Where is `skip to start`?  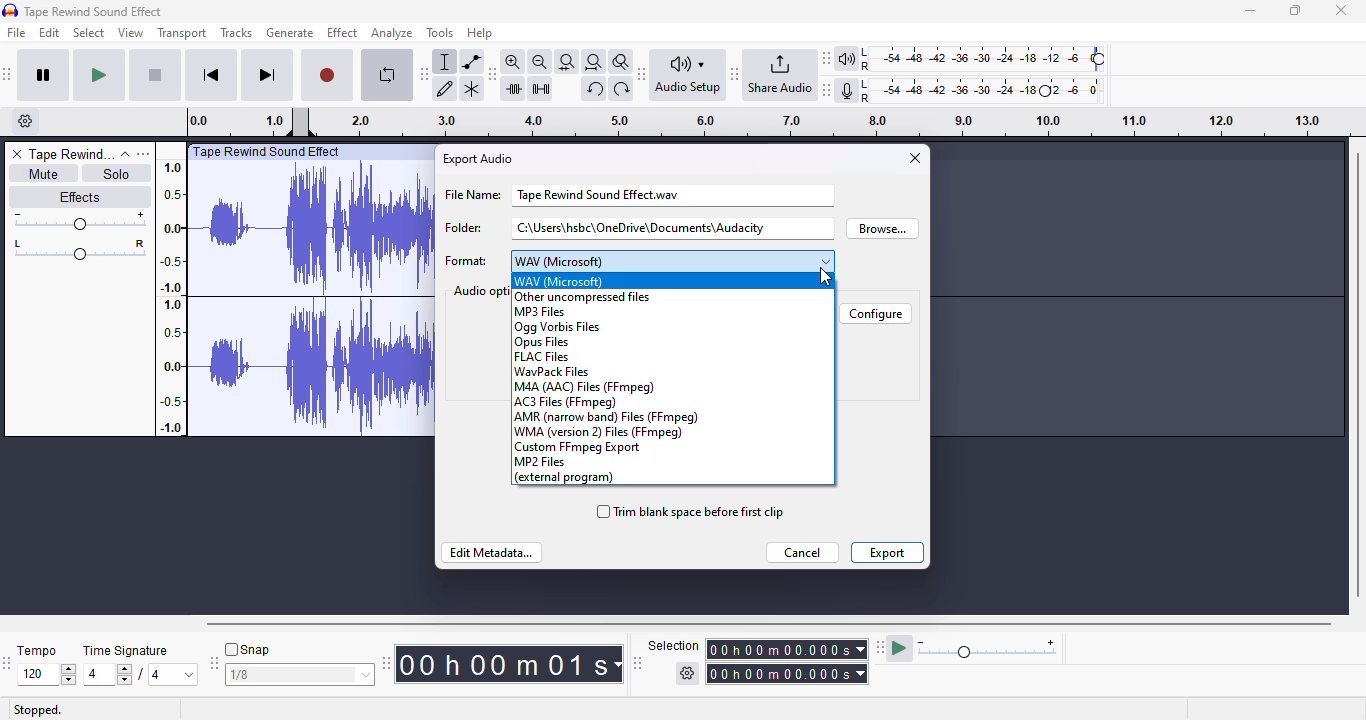
skip to start is located at coordinates (213, 75).